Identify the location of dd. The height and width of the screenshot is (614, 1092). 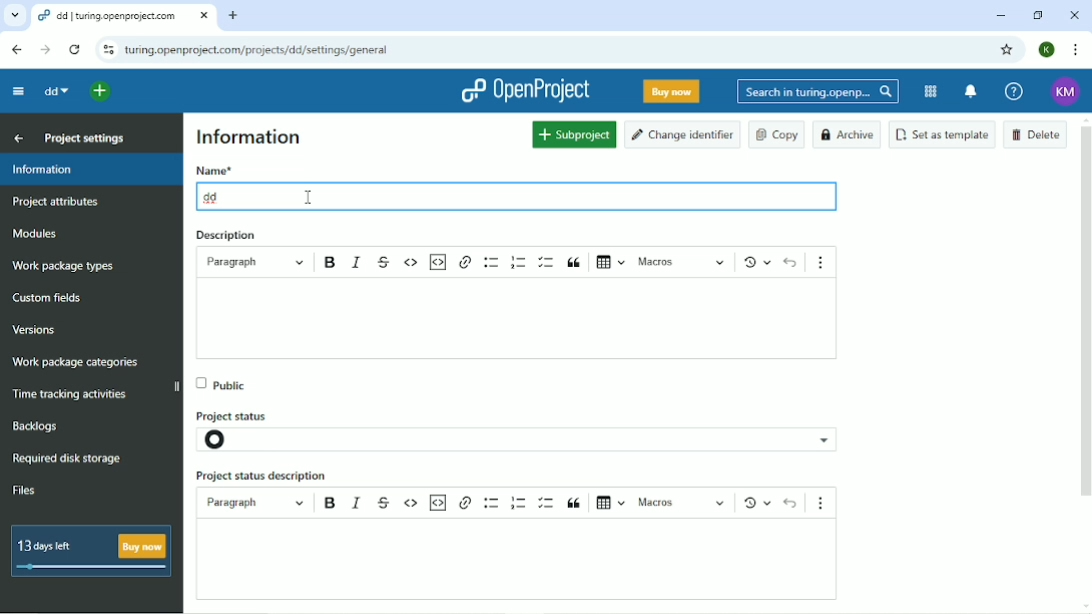
(55, 91).